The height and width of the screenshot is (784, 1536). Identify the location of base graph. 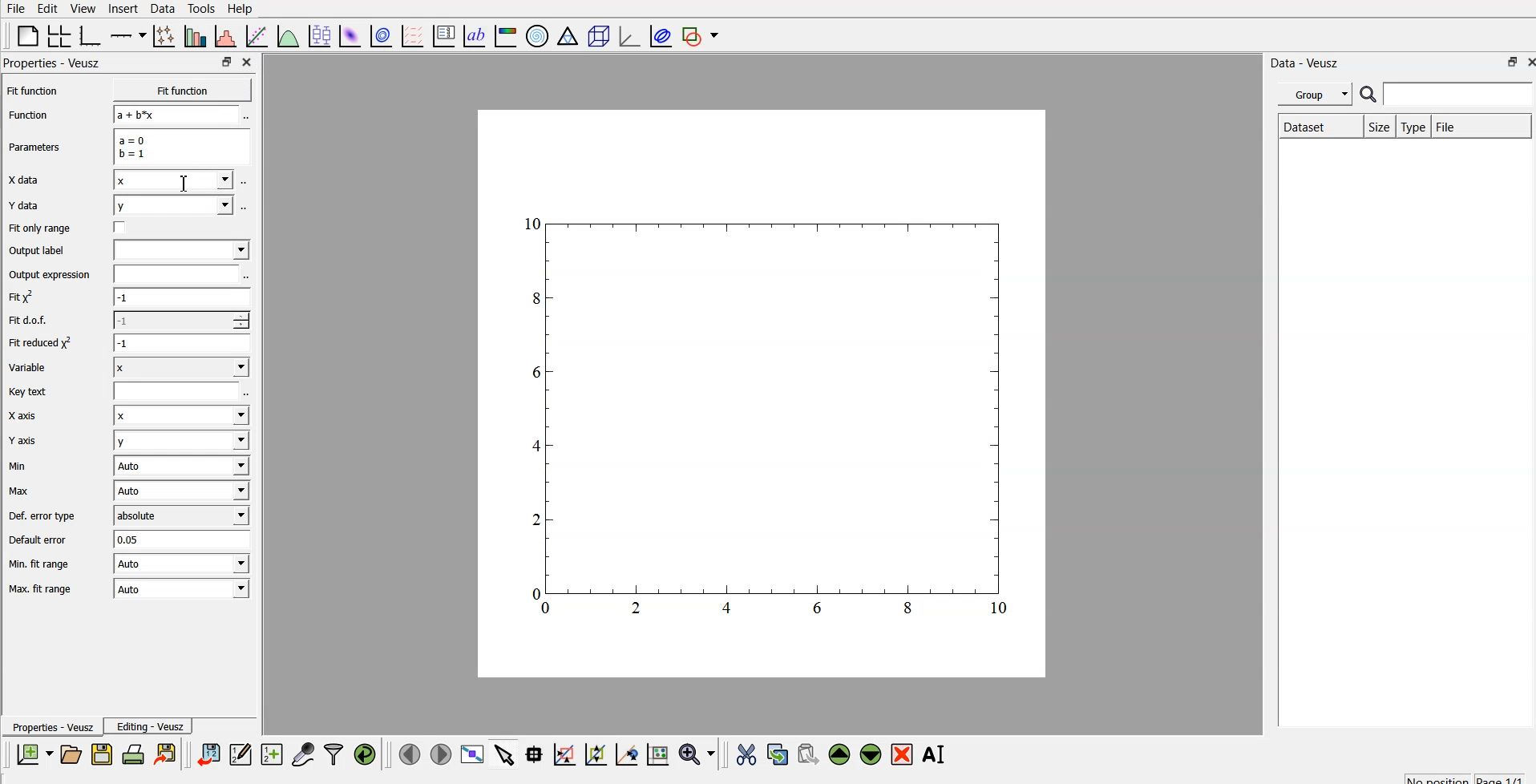
(89, 37).